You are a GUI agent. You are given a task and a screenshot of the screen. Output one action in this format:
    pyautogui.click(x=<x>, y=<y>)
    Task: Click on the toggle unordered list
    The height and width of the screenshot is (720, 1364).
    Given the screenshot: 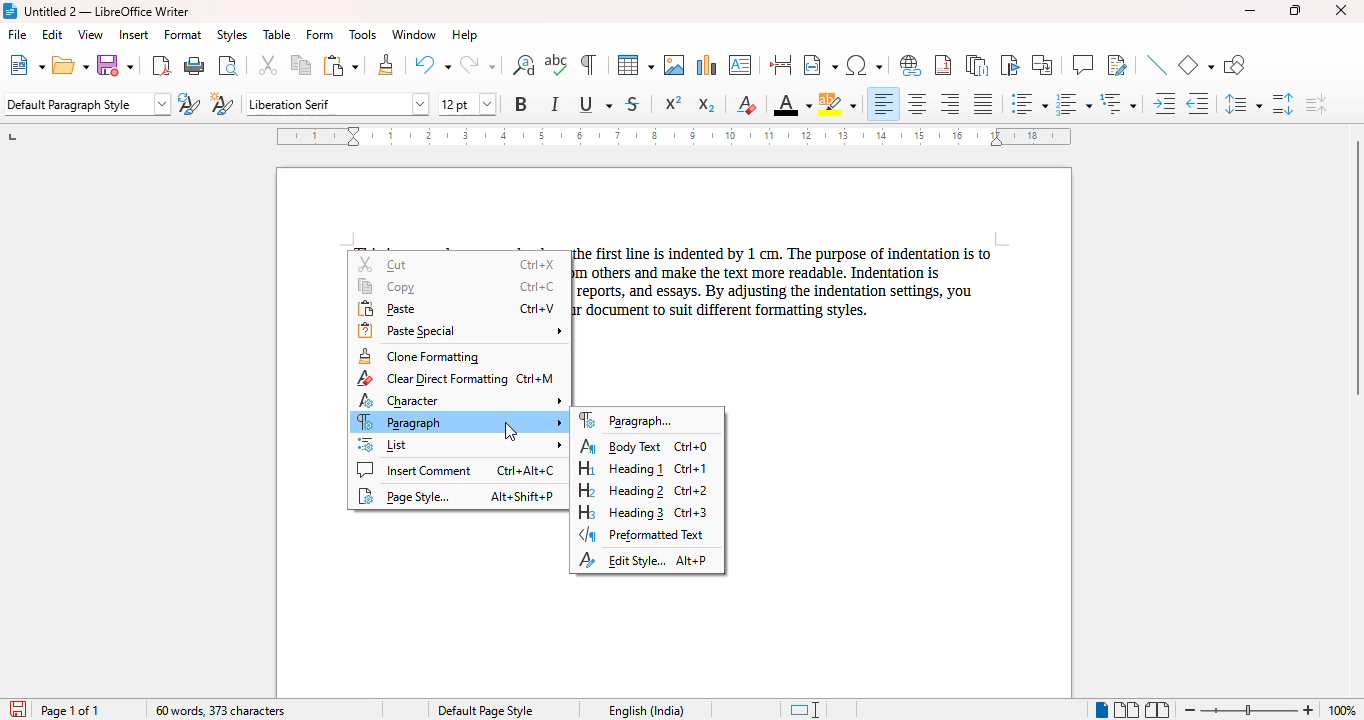 What is the action you would take?
    pyautogui.click(x=1029, y=103)
    